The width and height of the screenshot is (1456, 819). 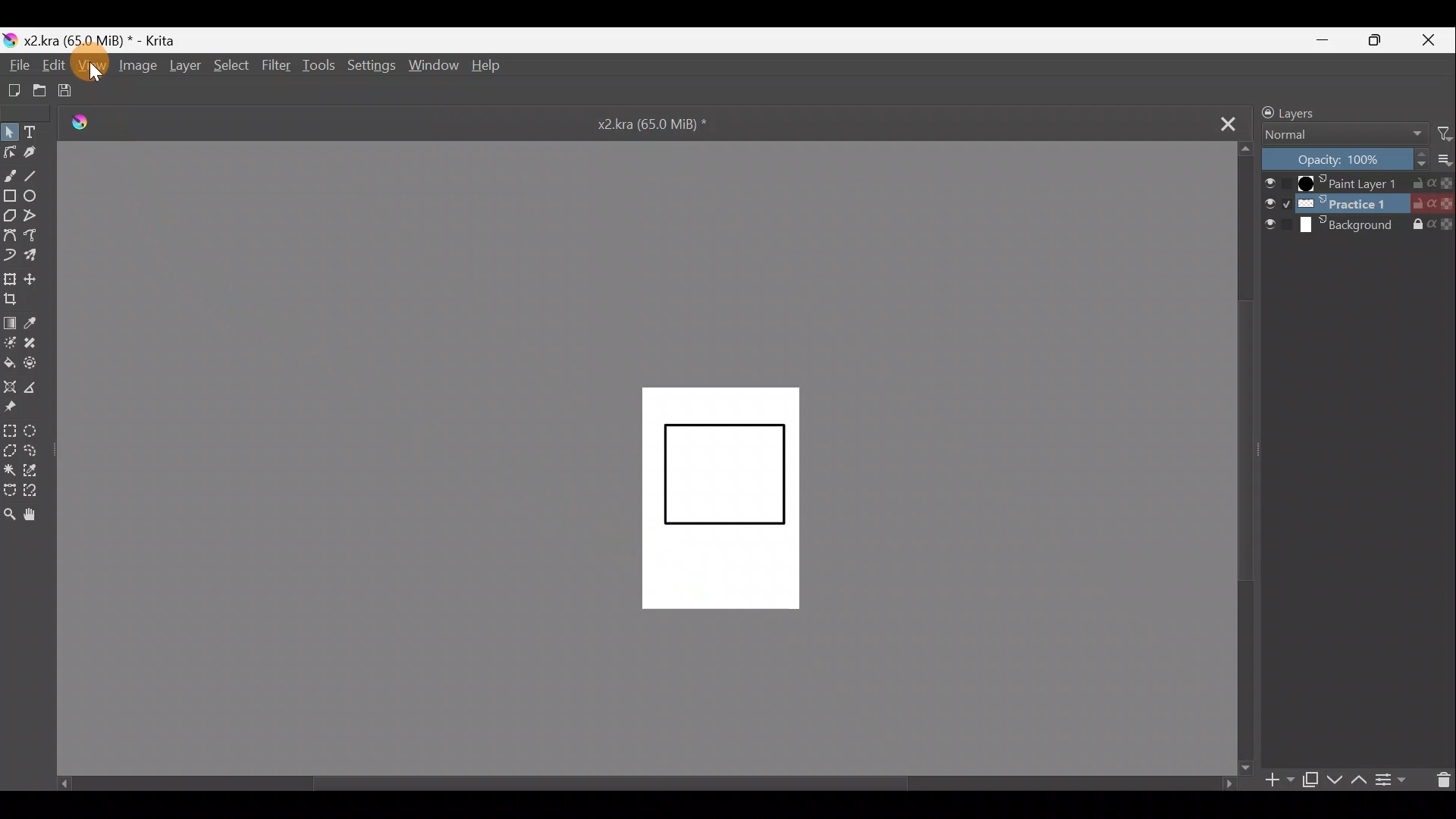 I want to click on Close, so click(x=1425, y=40).